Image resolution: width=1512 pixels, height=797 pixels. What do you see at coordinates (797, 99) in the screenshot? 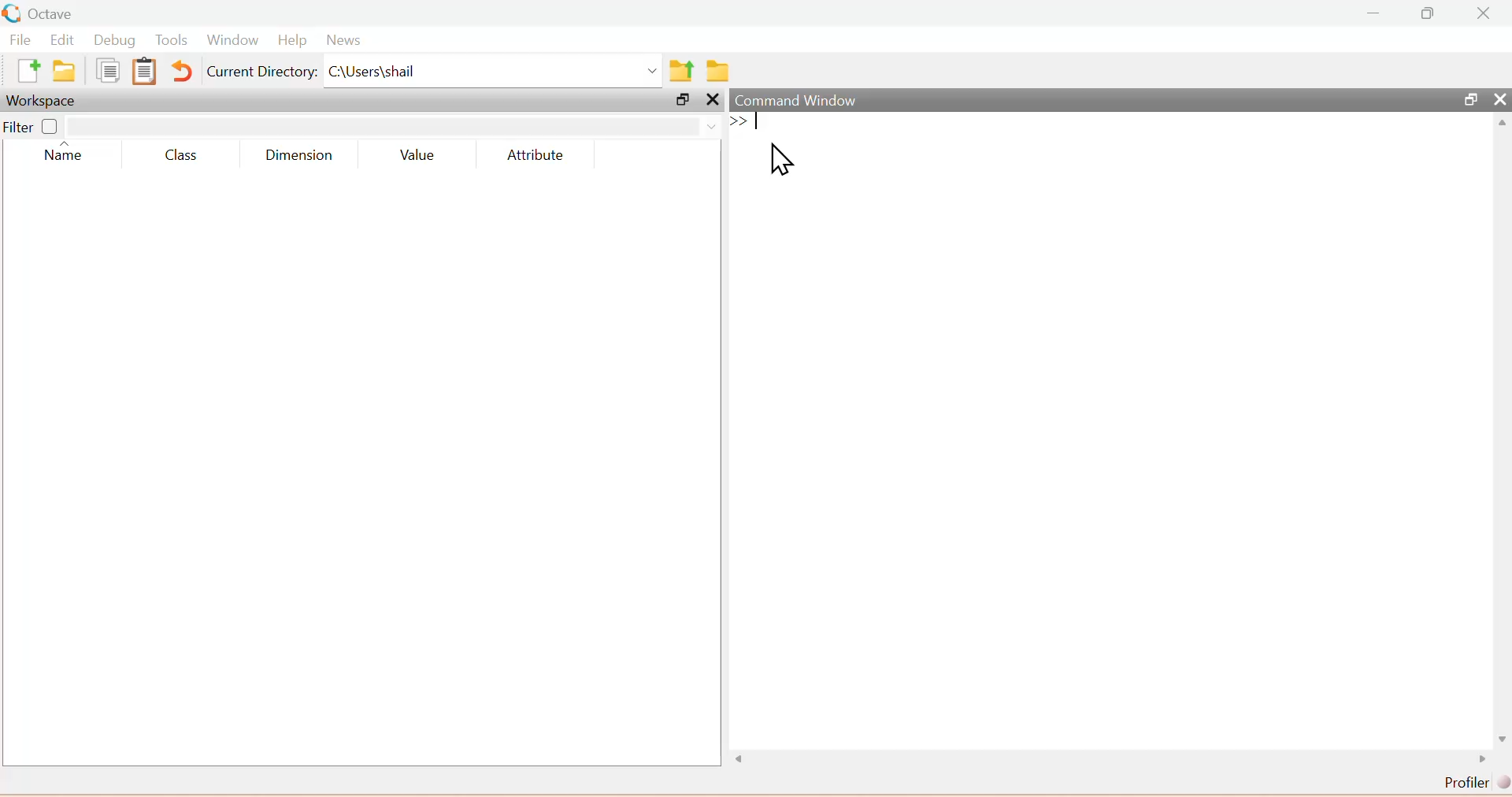
I see `Command Window` at bounding box center [797, 99].